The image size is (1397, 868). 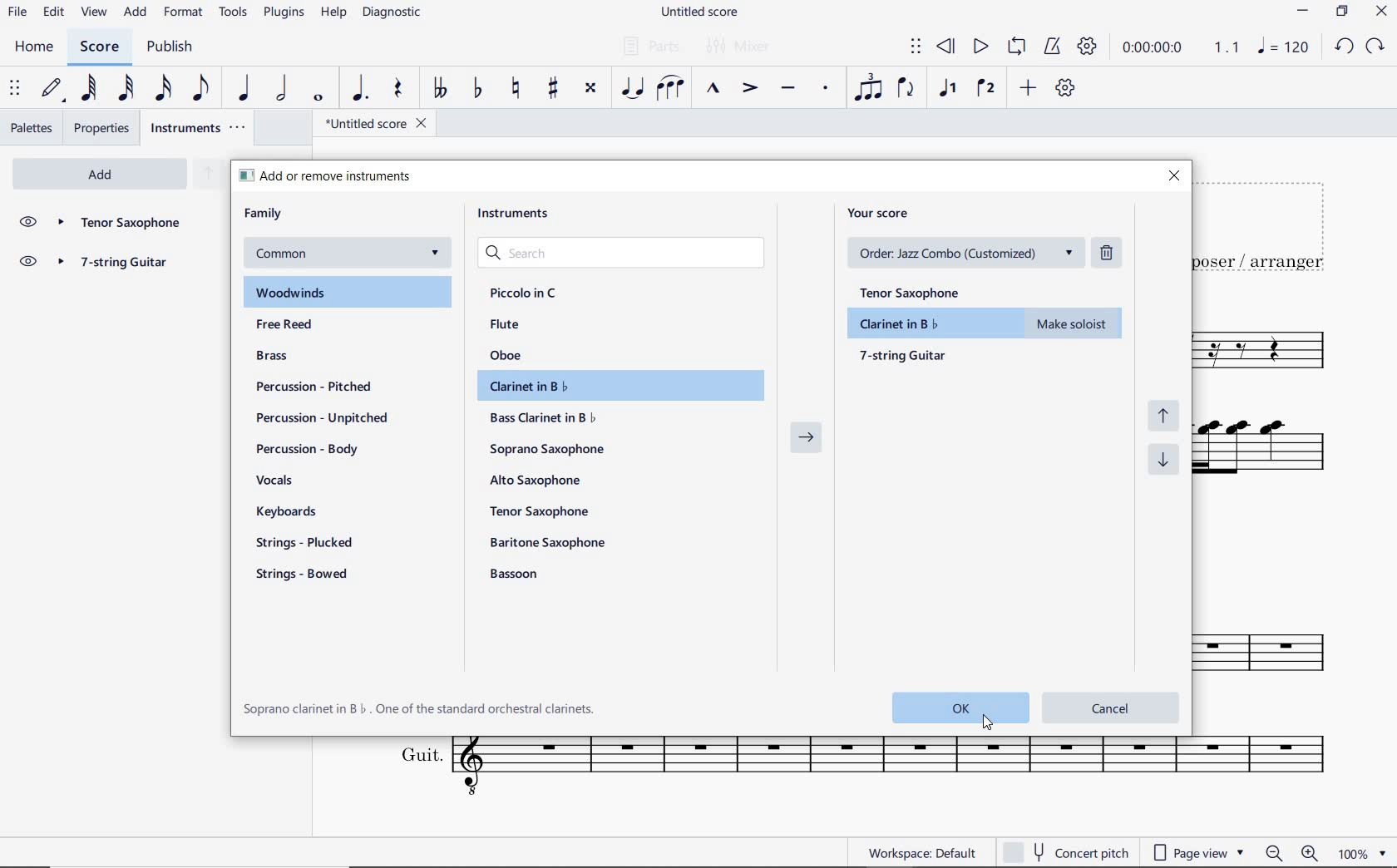 What do you see at coordinates (392, 12) in the screenshot?
I see `DIAGNOSTIC` at bounding box center [392, 12].